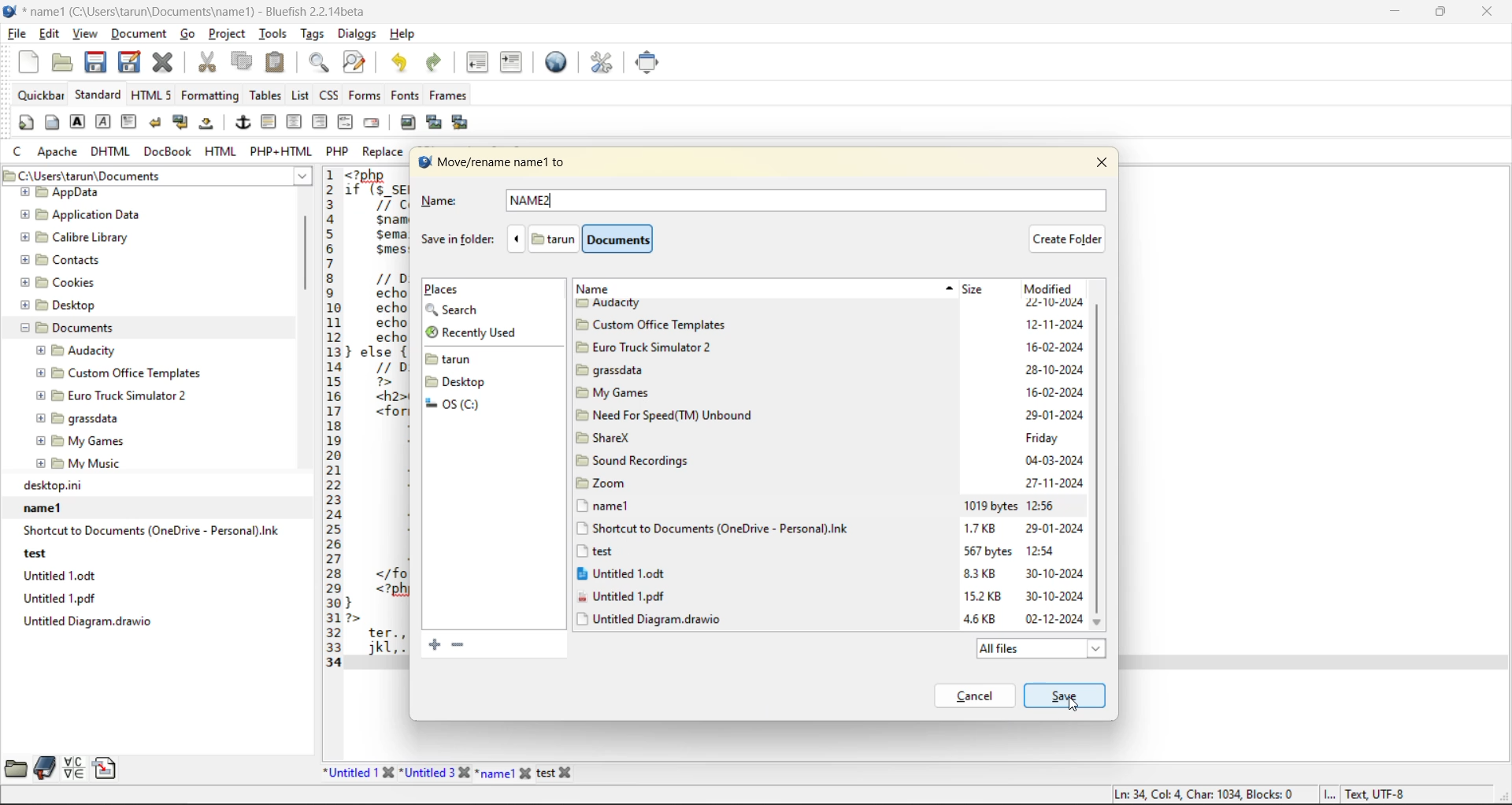  I want to click on modified, so click(1047, 287).